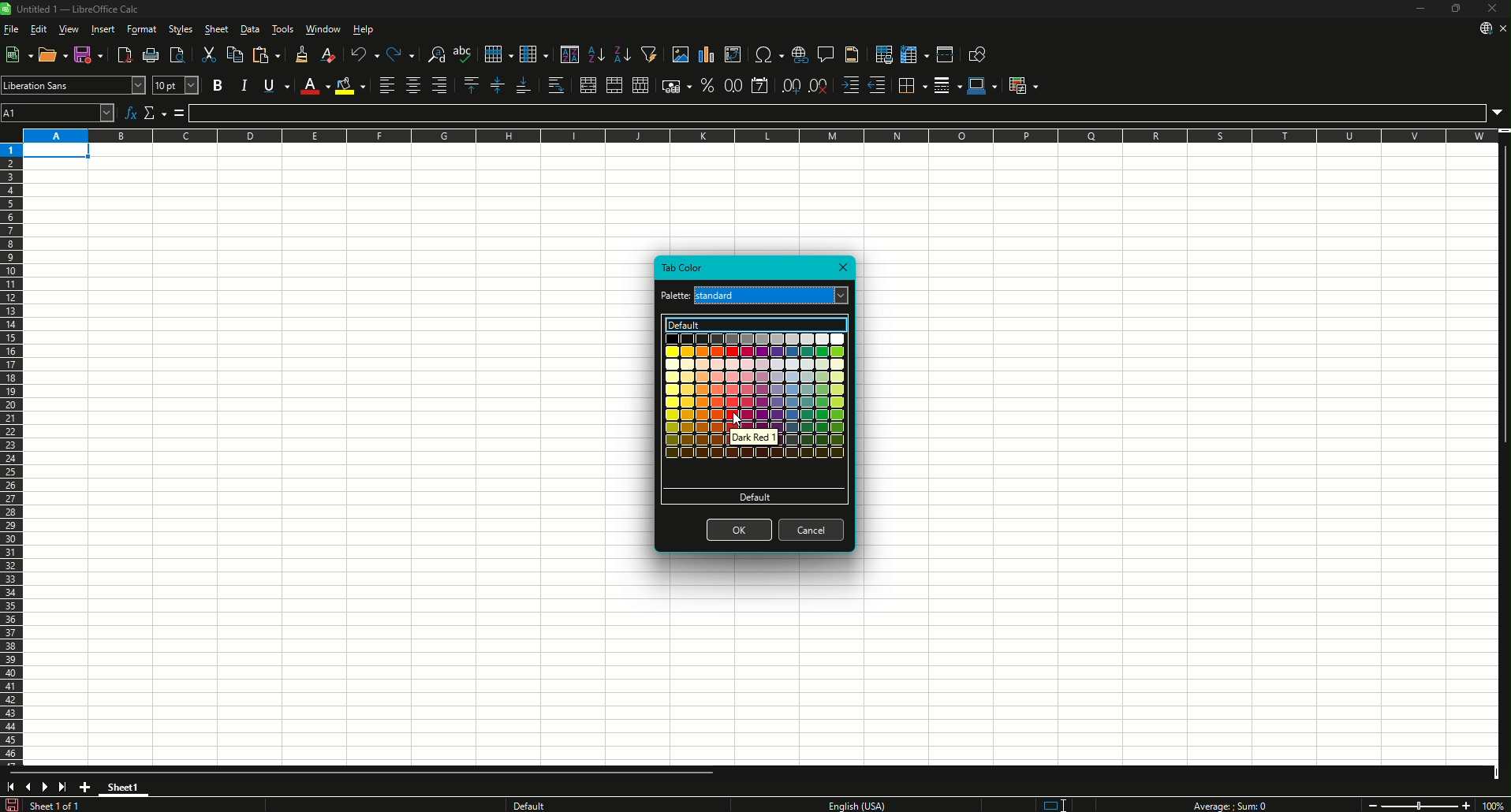  I want to click on Font, so click(63, 85).